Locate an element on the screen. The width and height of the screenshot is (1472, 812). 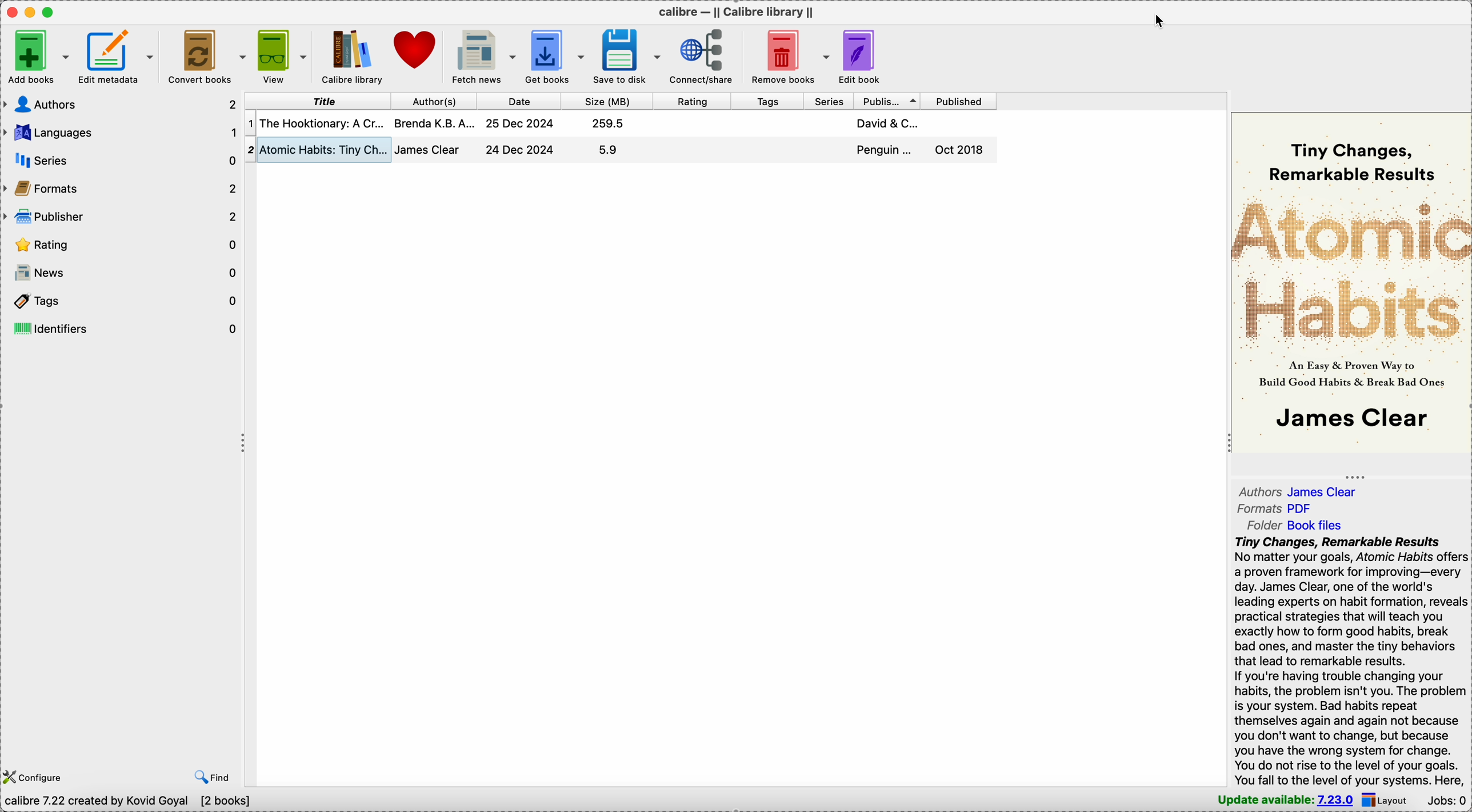
tiny changes, remarkable results is located at coordinates (1353, 163).